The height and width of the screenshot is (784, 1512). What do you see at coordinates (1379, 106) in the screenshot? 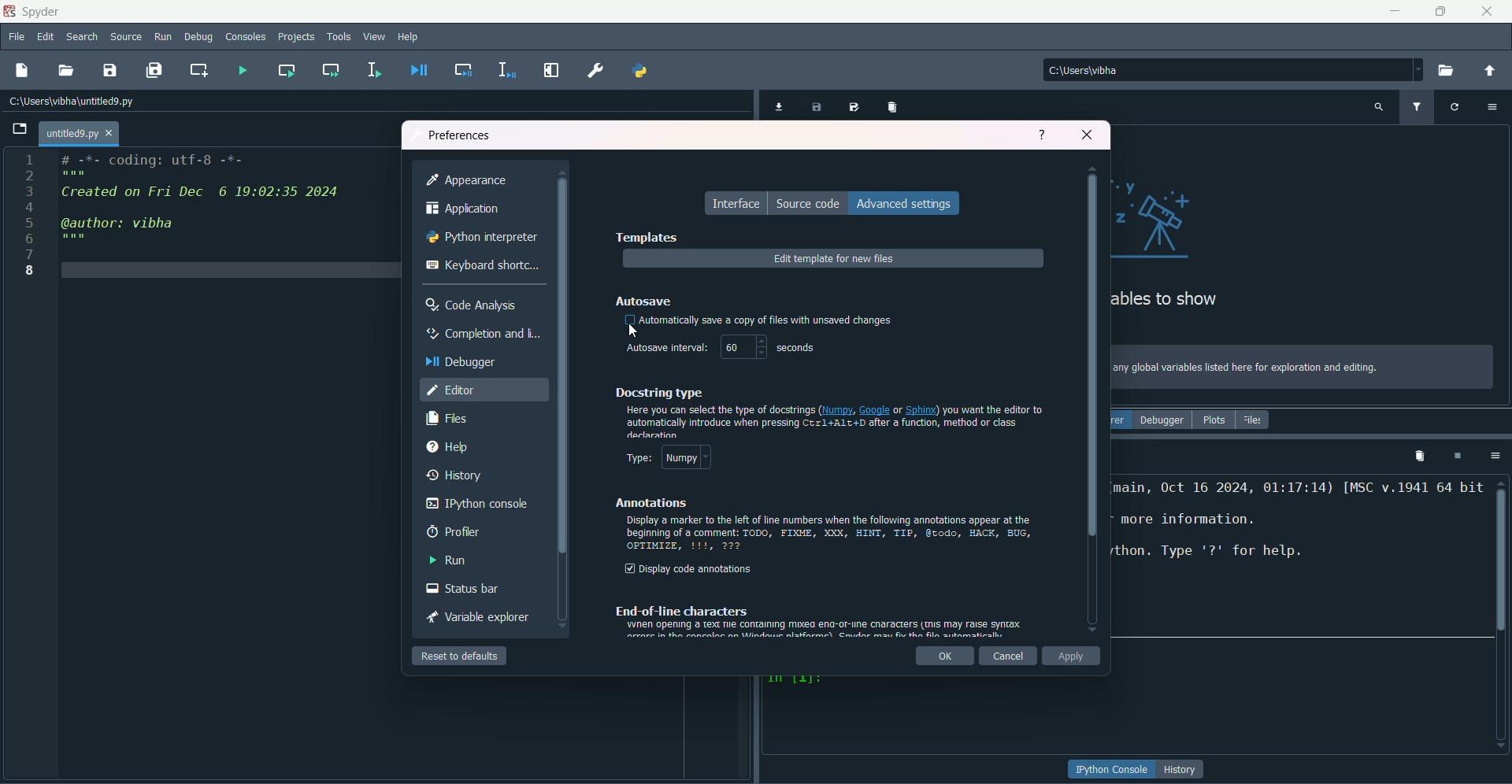
I see `search variable` at bounding box center [1379, 106].